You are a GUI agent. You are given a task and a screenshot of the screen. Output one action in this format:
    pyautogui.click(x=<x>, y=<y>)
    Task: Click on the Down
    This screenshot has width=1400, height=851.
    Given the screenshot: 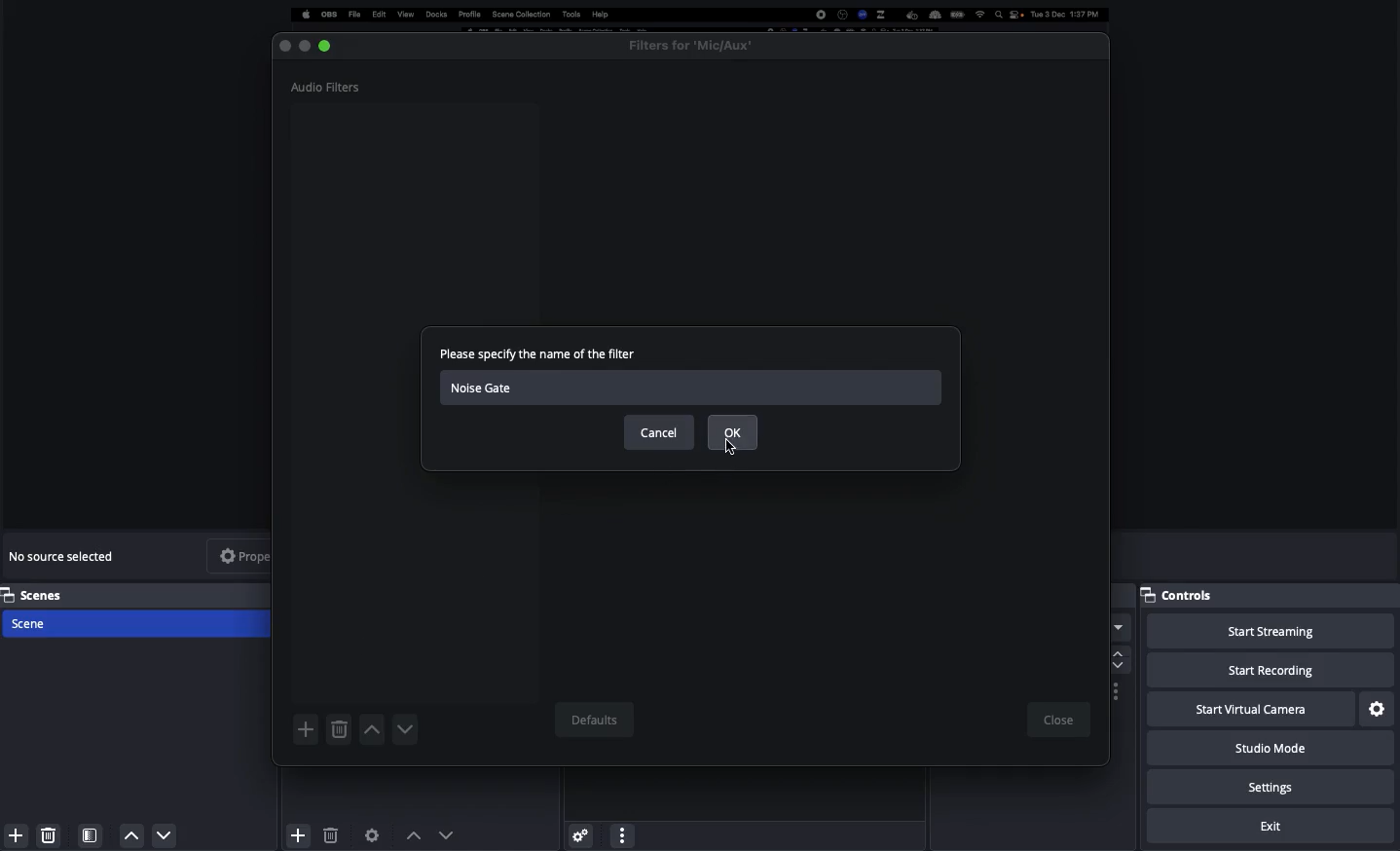 What is the action you would take?
    pyautogui.click(x=166, y=837)
    